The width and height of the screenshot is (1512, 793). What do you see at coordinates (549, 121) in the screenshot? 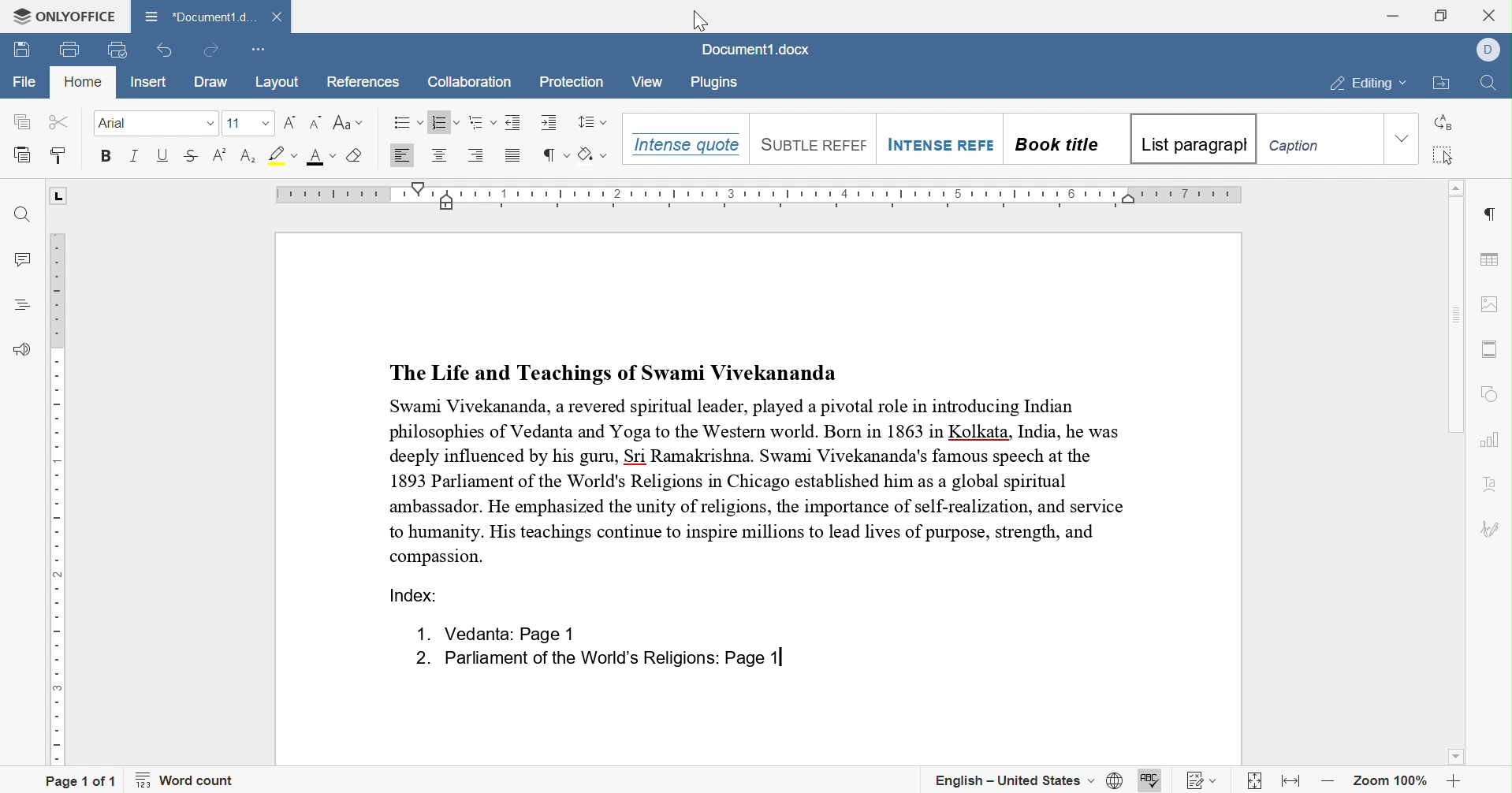
I see `increase indent` at bounding box center [549, 121].